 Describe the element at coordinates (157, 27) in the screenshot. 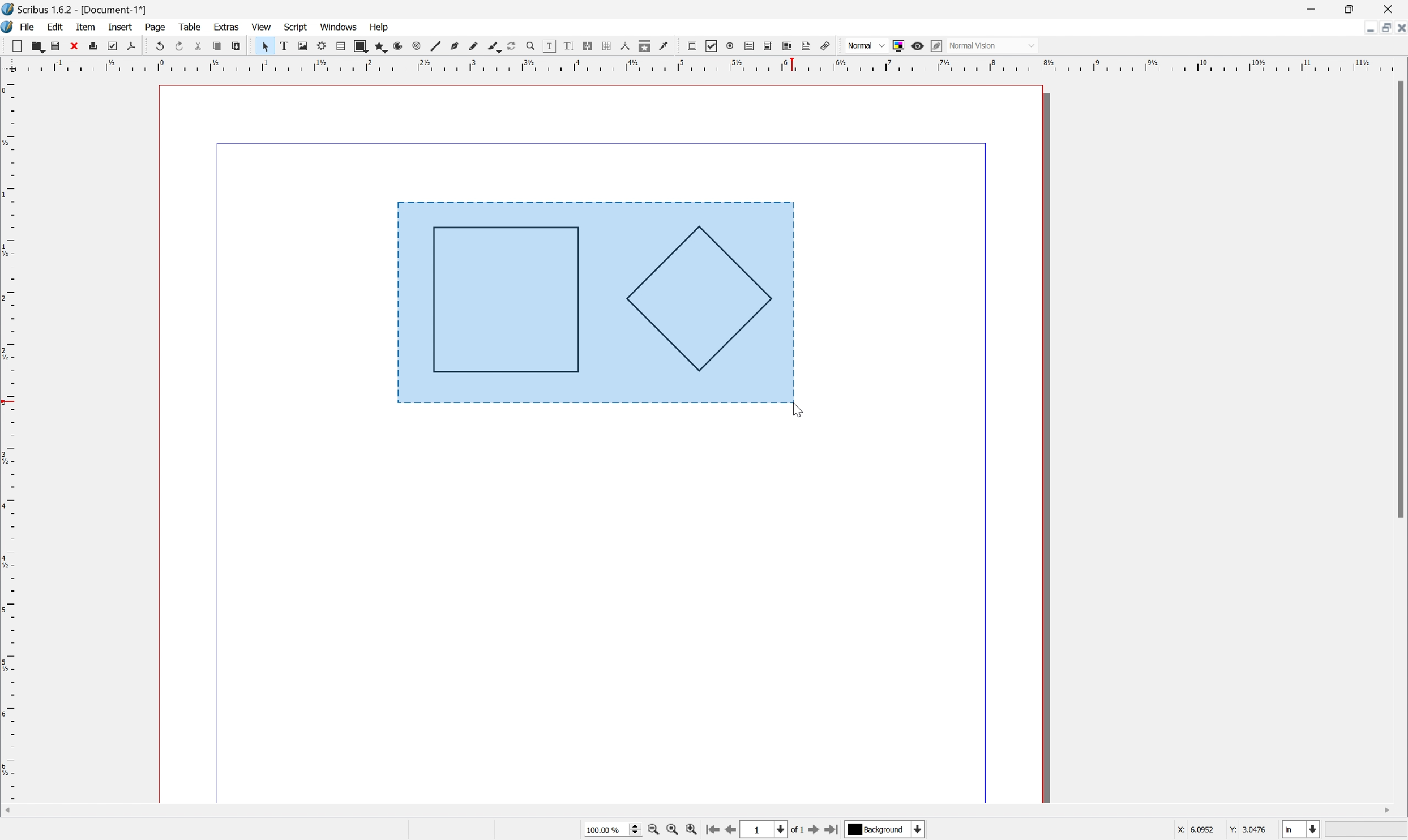

I see `page` at that location.